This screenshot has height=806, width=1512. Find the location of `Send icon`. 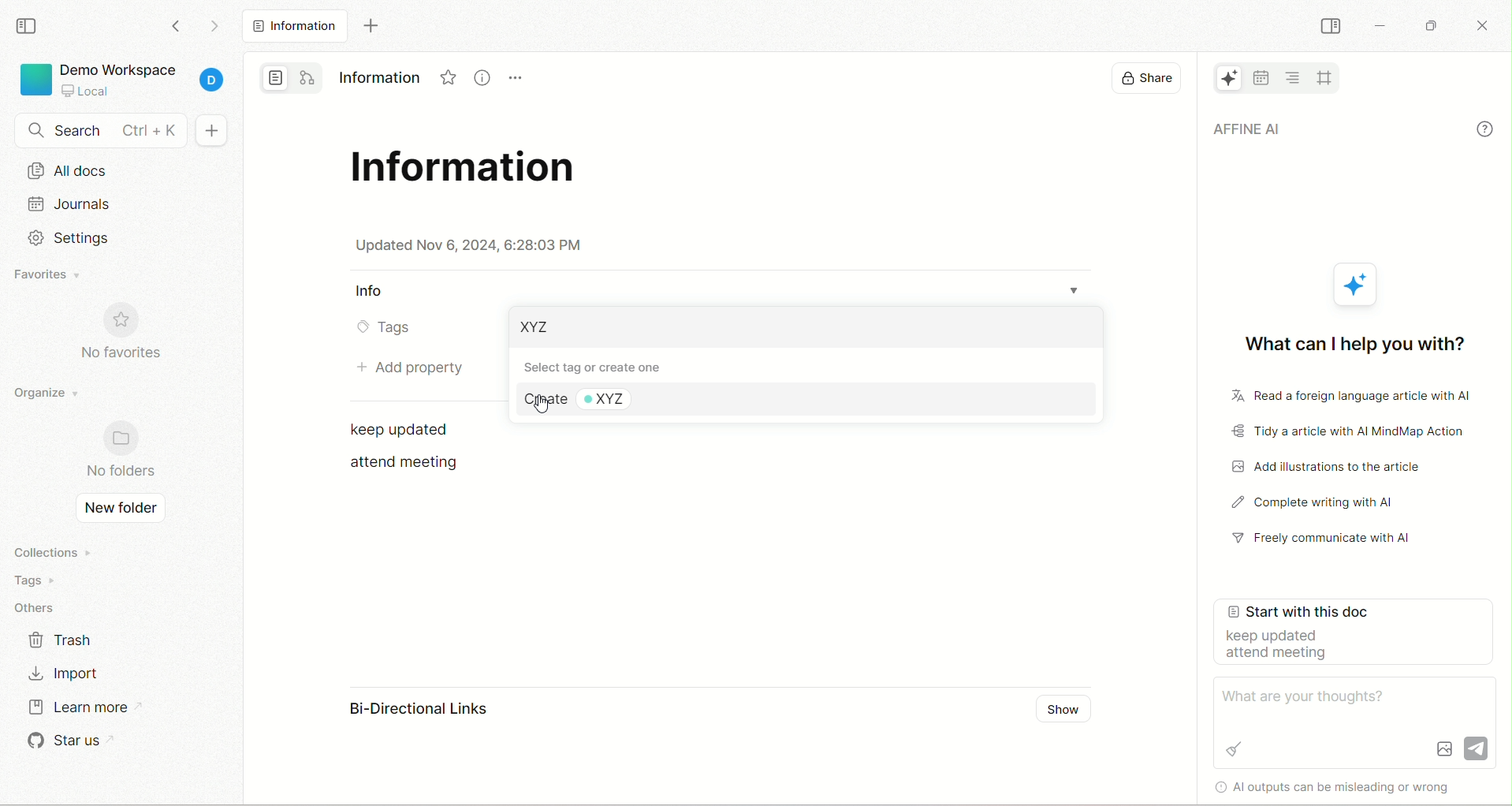

Send icon is located at coordinates (1477, 745).